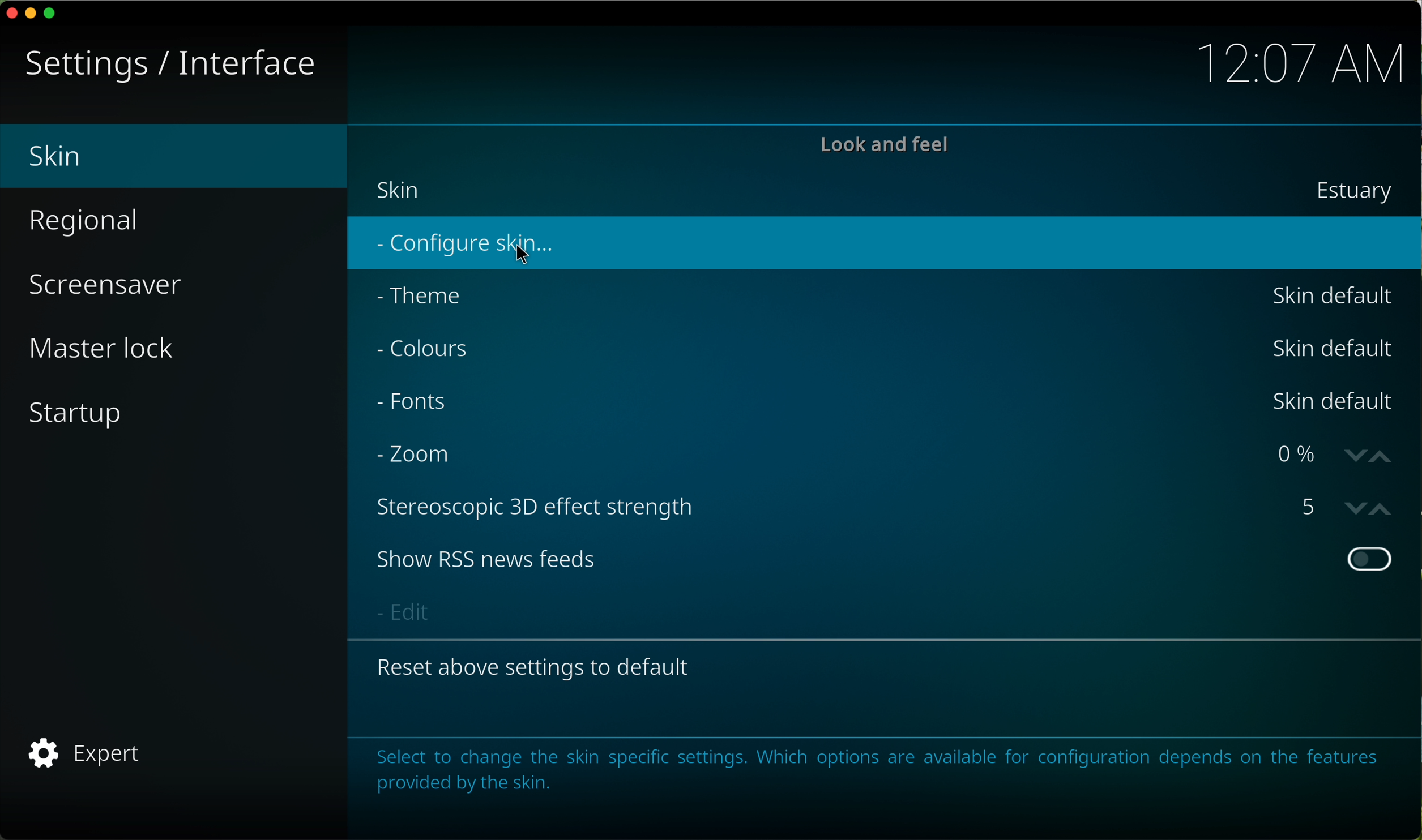 Image resolution: width=1422 pixels, height=840 pixels. I want to click on notes, so click(874, 770).